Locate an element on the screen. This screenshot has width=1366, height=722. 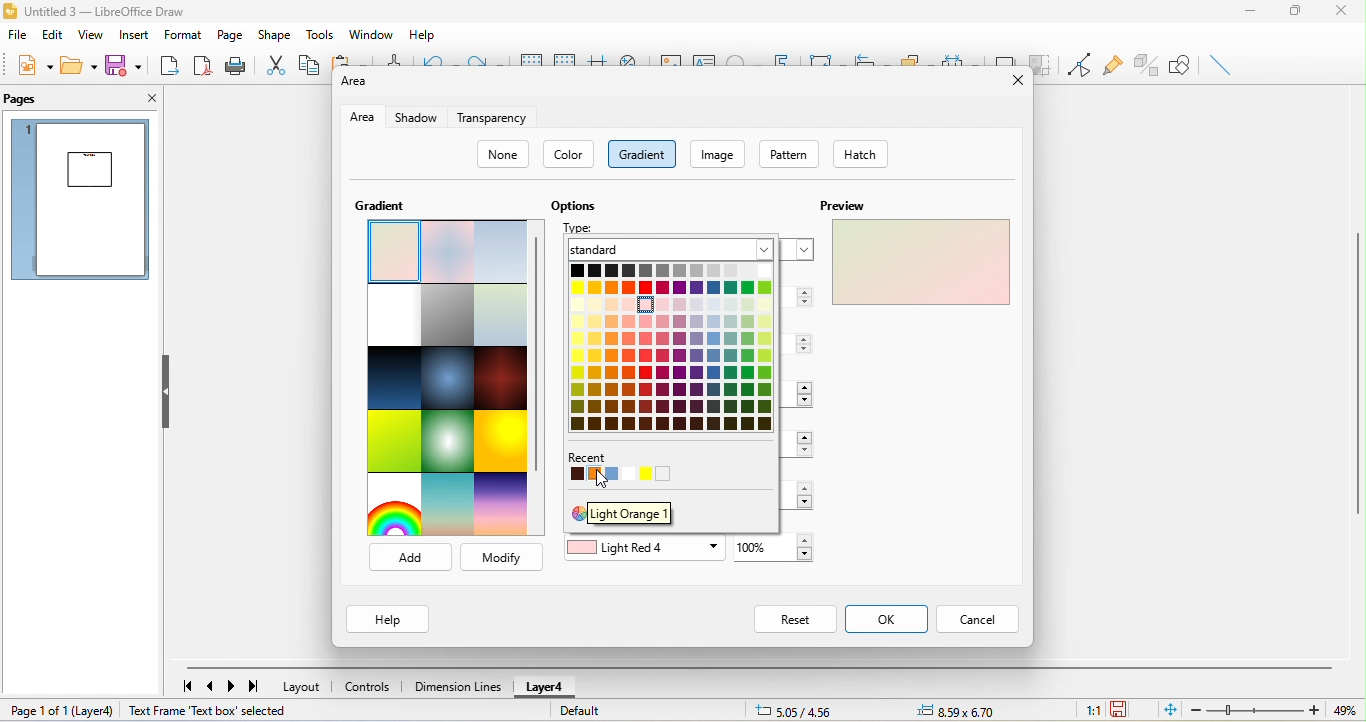
special character is located at coordinates (742, 57).